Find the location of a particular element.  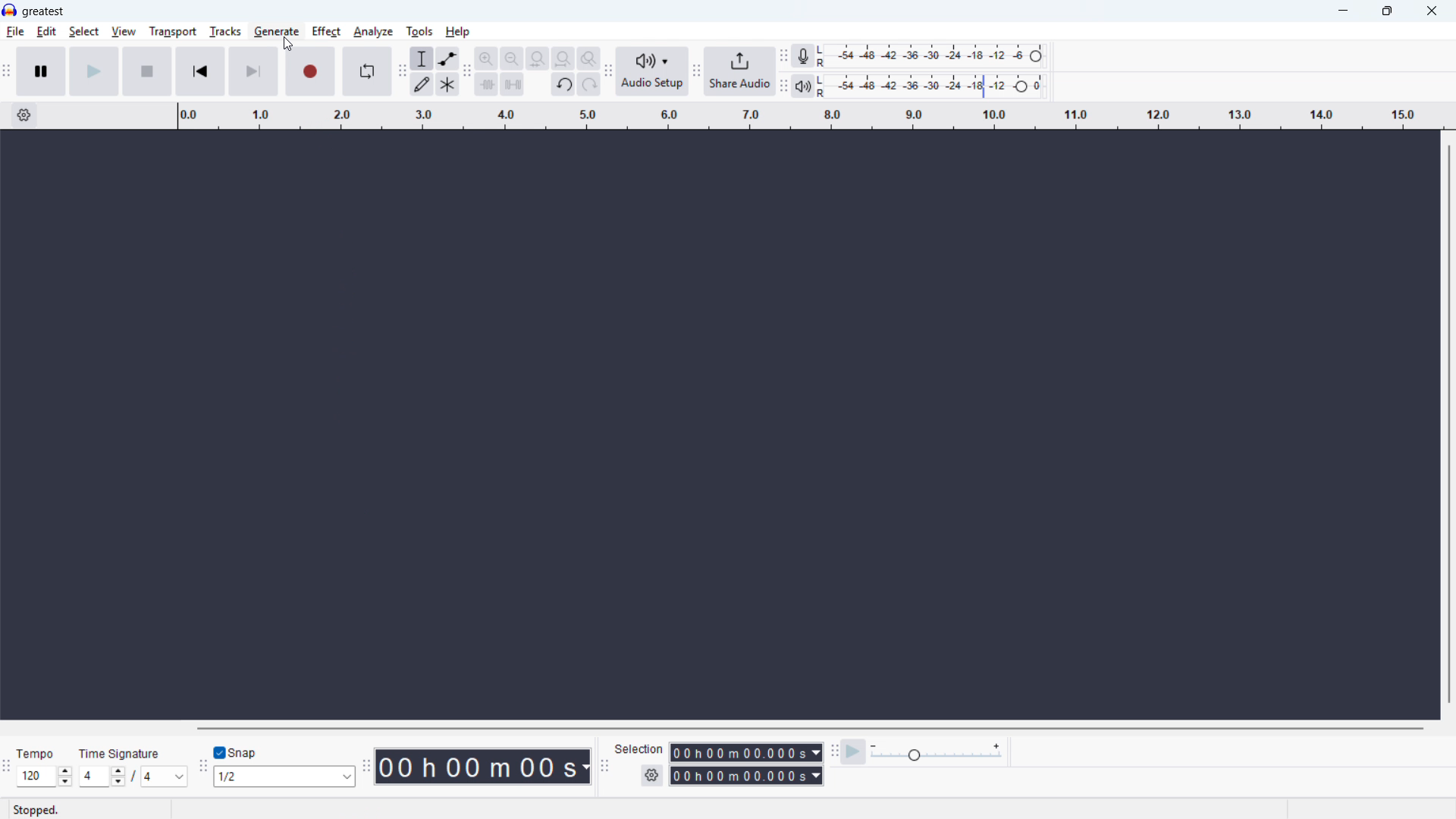

file is located at coordinates (15, 33).